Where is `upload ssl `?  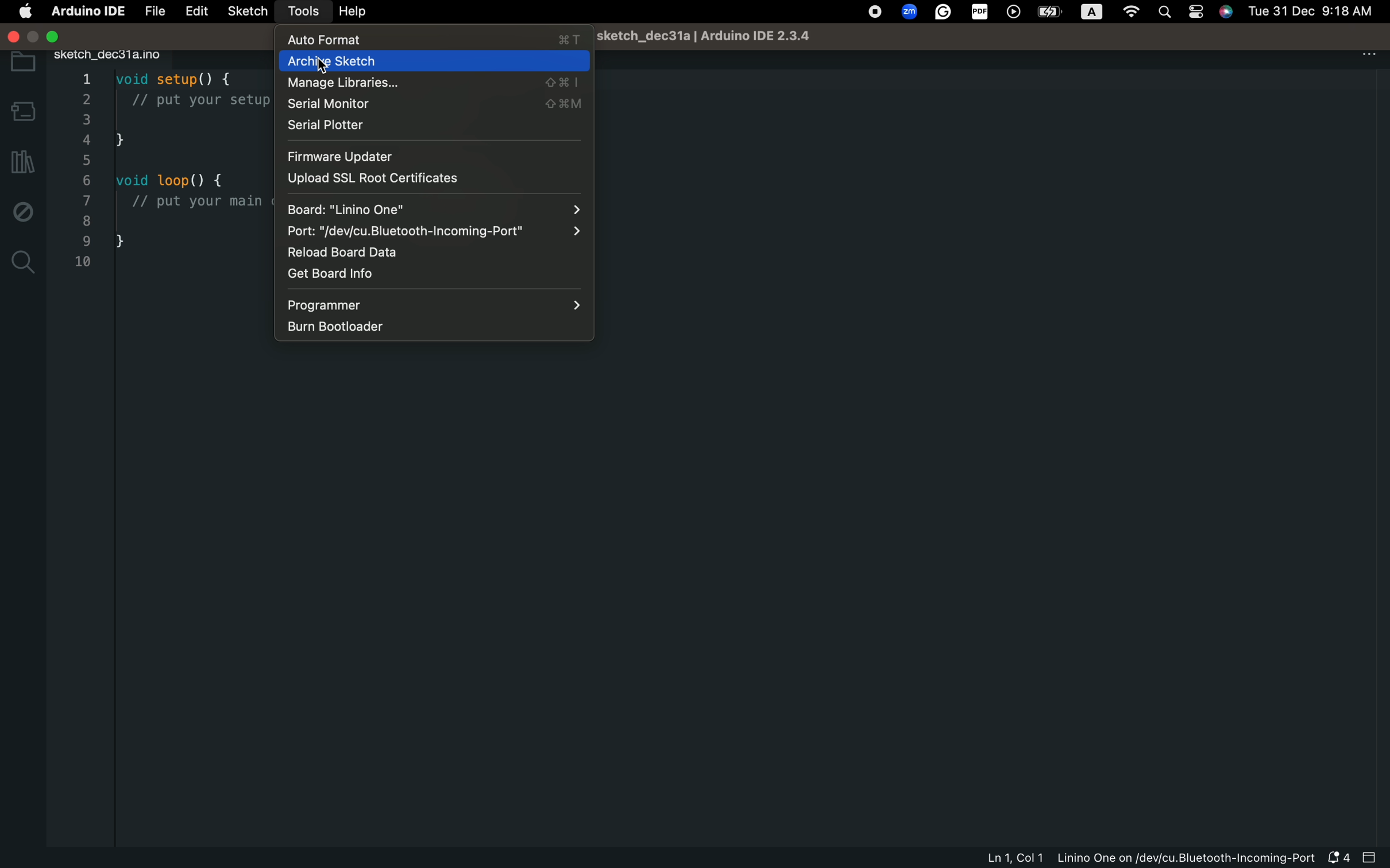 upload ssl  is located at coordinates (431, 179).